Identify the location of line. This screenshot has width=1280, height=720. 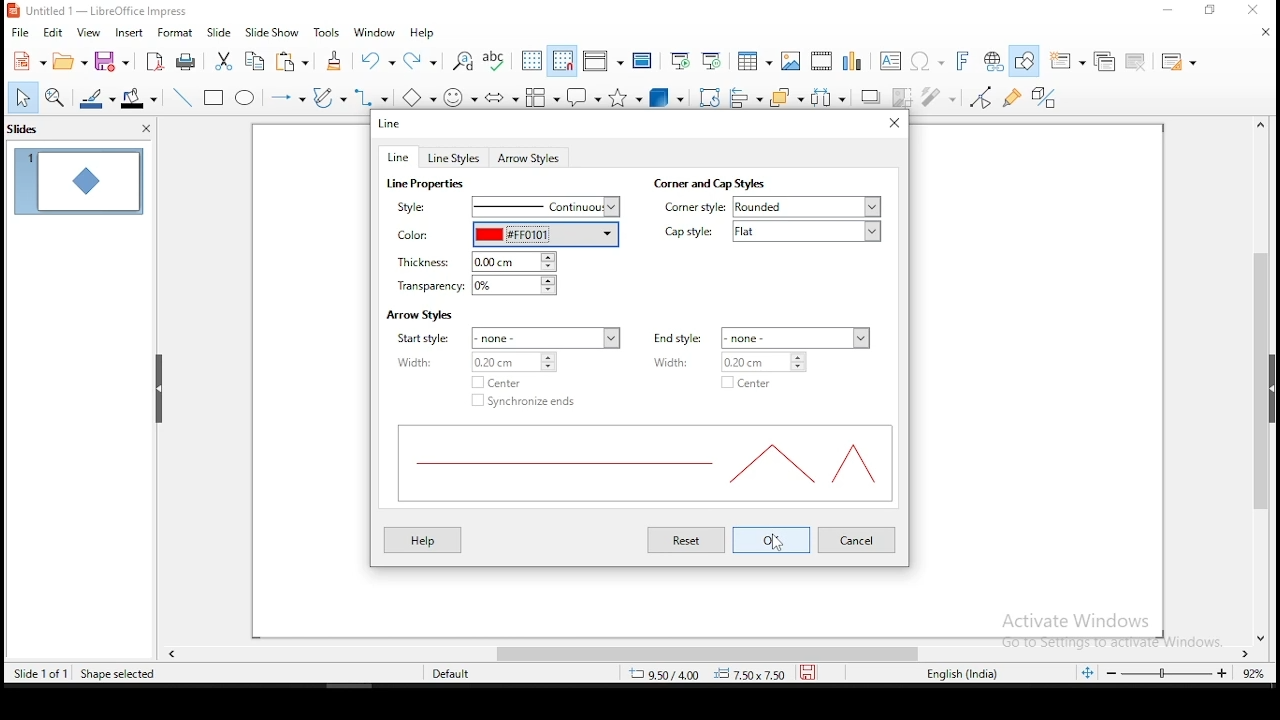
(400, 157).